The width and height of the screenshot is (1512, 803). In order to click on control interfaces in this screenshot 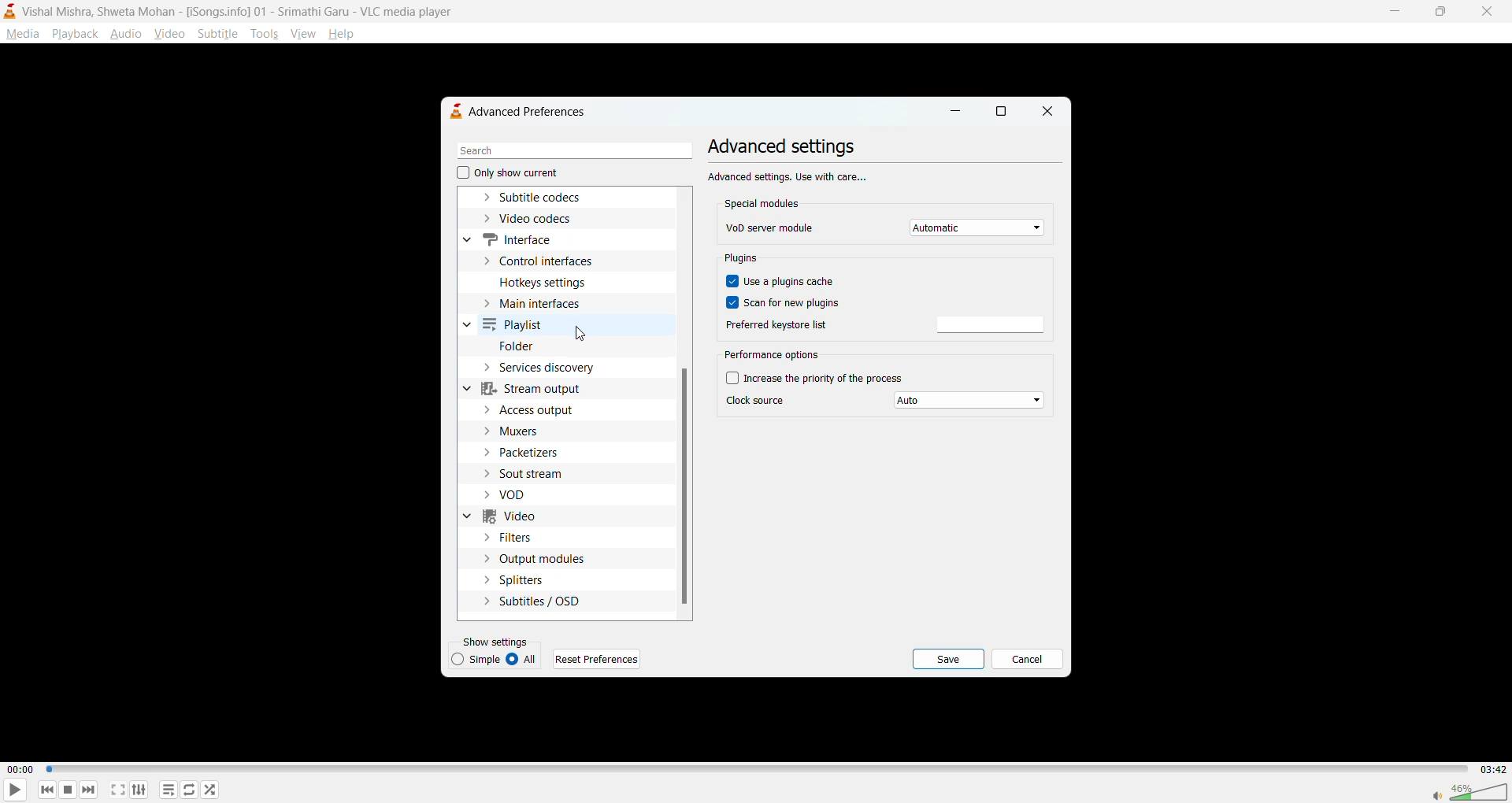, I will do `click(547, 260)`.